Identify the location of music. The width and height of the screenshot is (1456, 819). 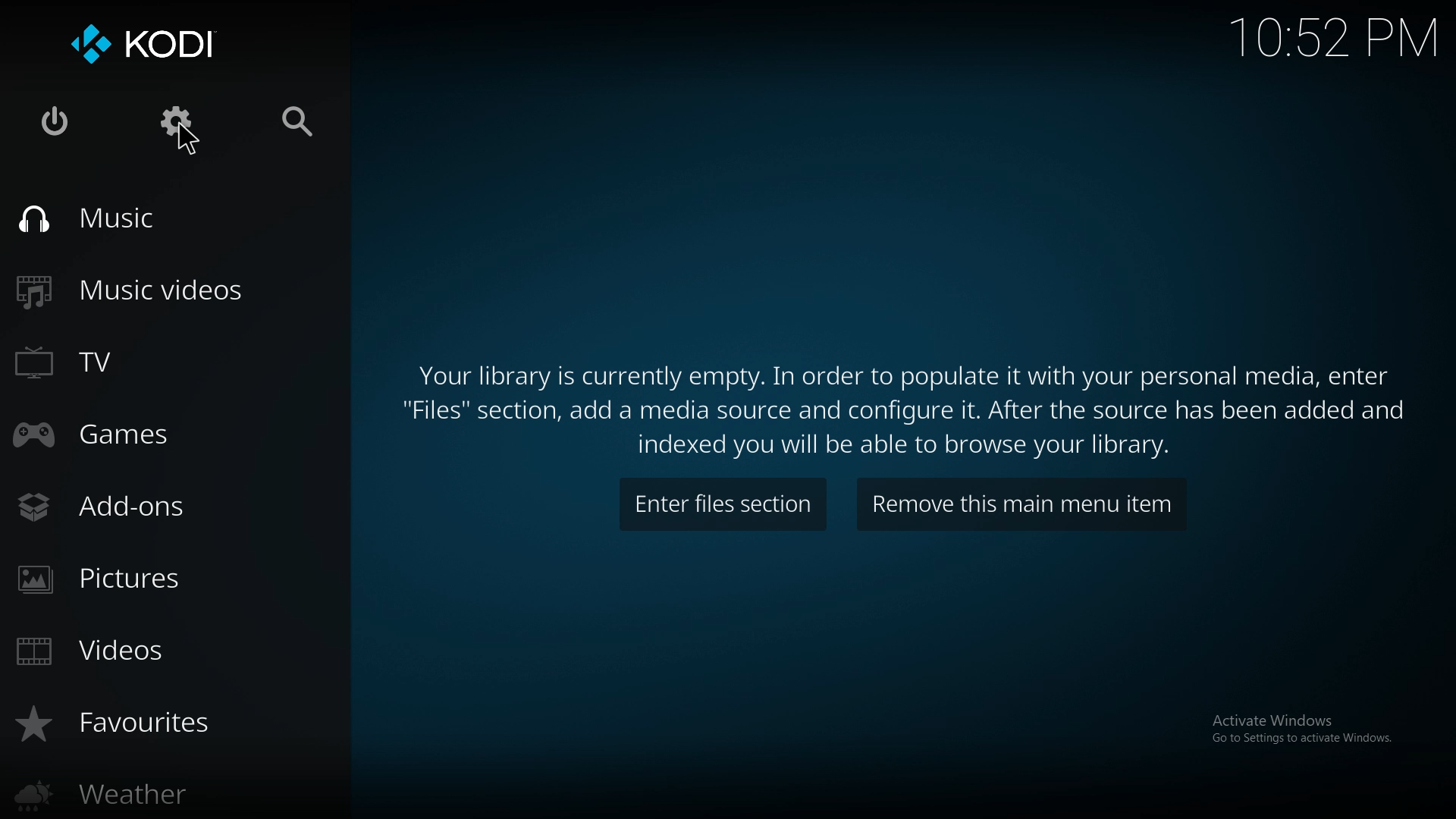
(134, 220).